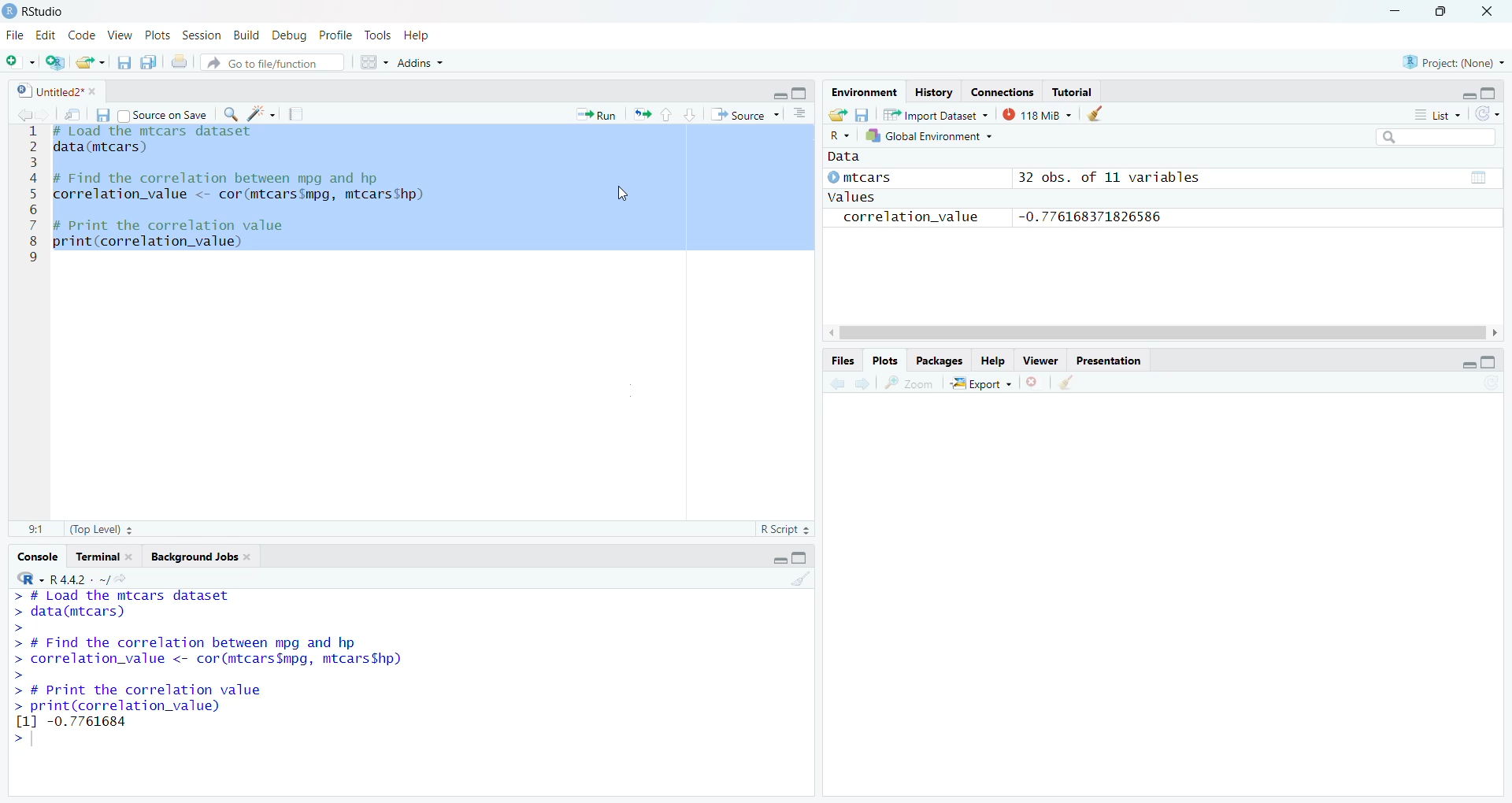  What do you see at coordinates (936, 116) in the screenshot?
I see `Import Database` at bounding box center [936, 116].